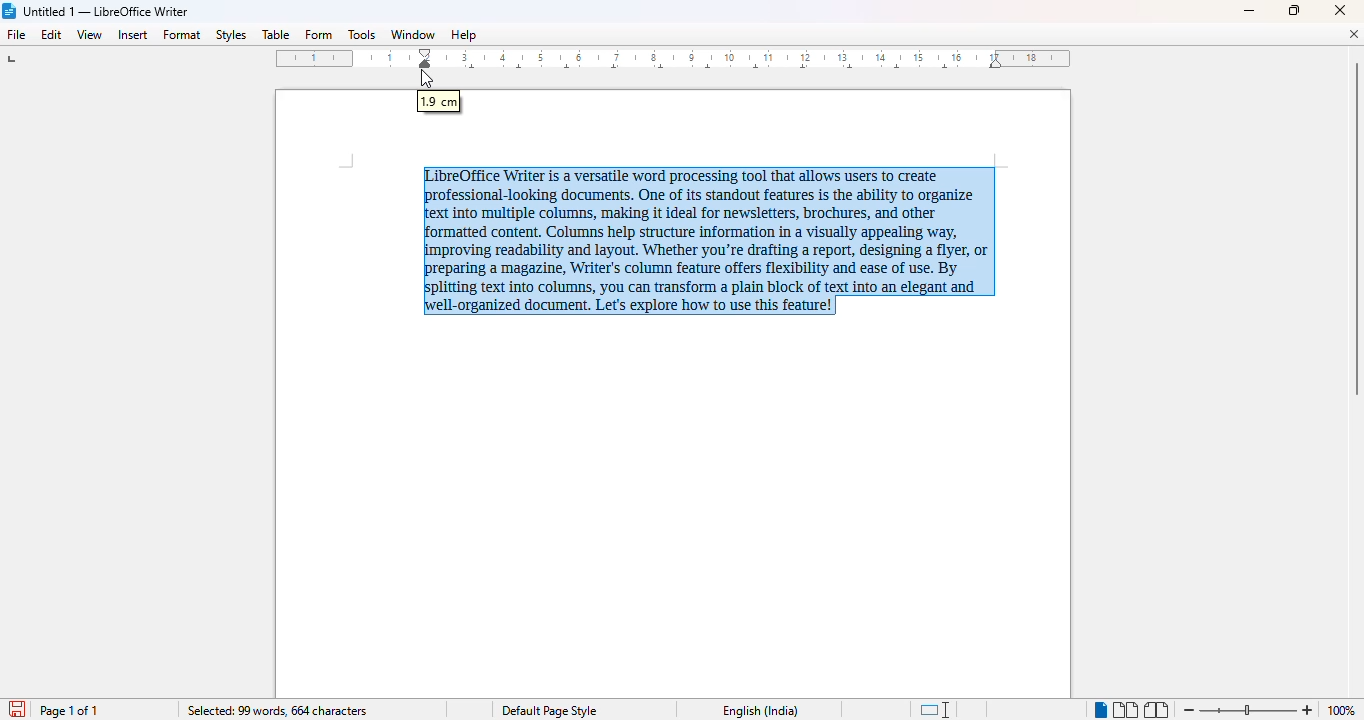 This screenshot has width=1364, height=720. I want to click on insert, so click(133, 35).